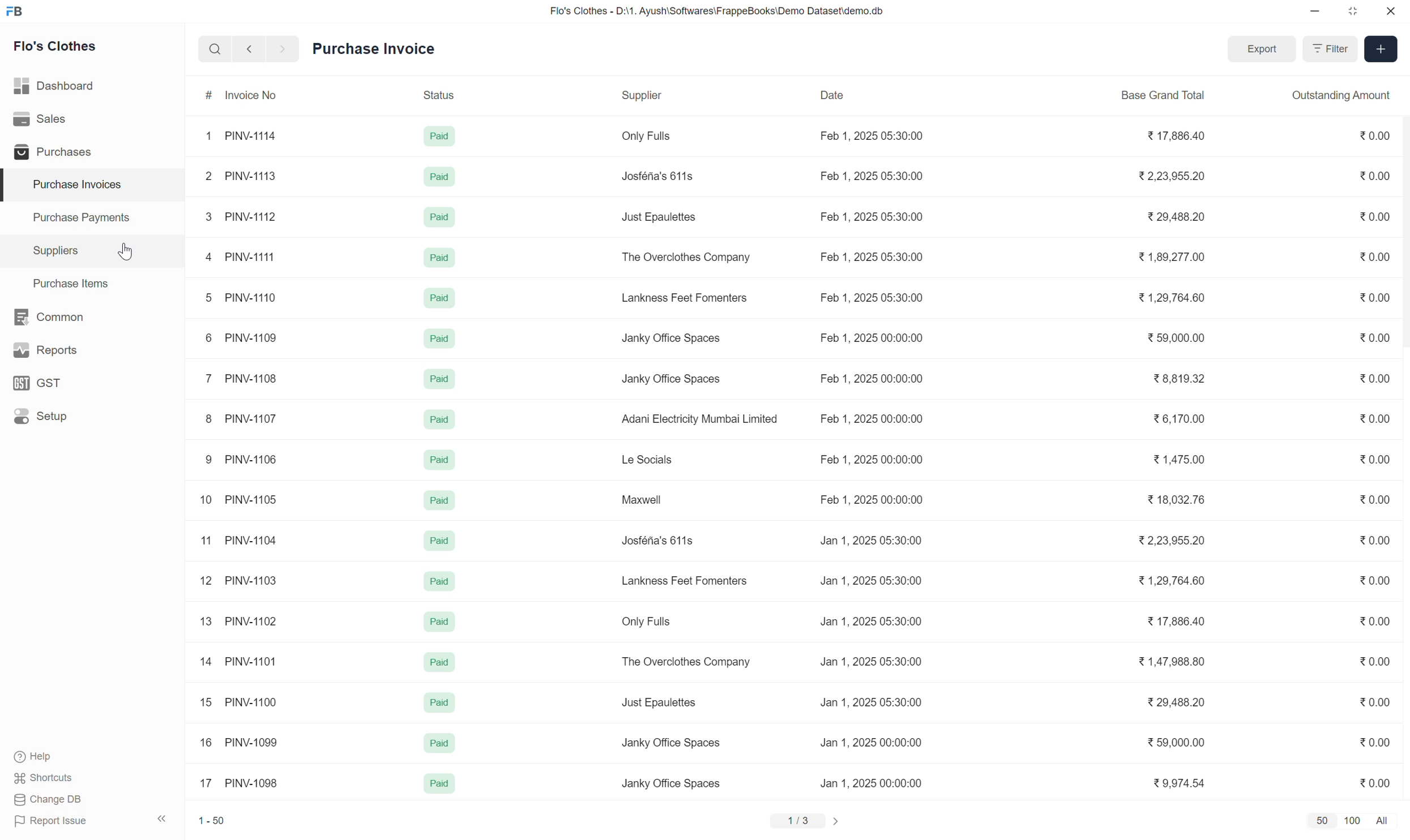  Describe the element at coordinates (871, 136) in the screenshot. I see `Feb 1, 2025 05:30:00` at that location.